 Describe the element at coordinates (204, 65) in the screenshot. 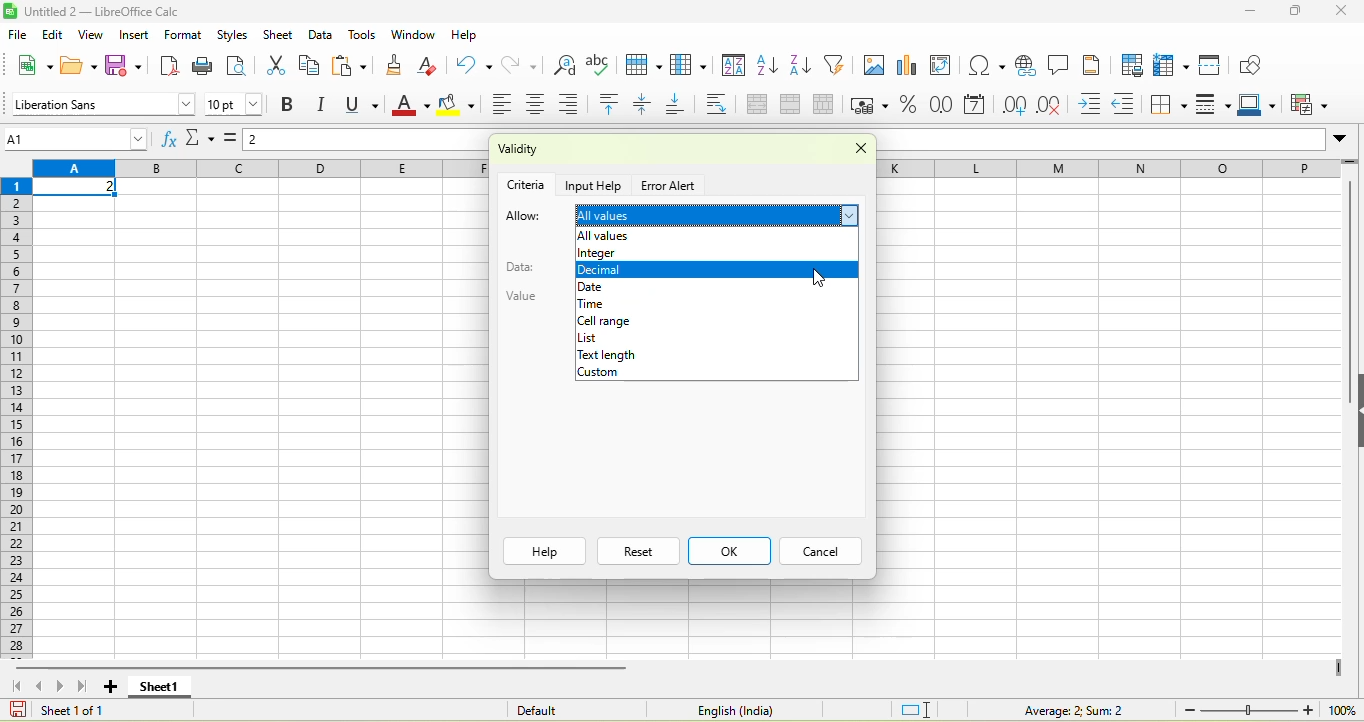

I see `print` at that location.